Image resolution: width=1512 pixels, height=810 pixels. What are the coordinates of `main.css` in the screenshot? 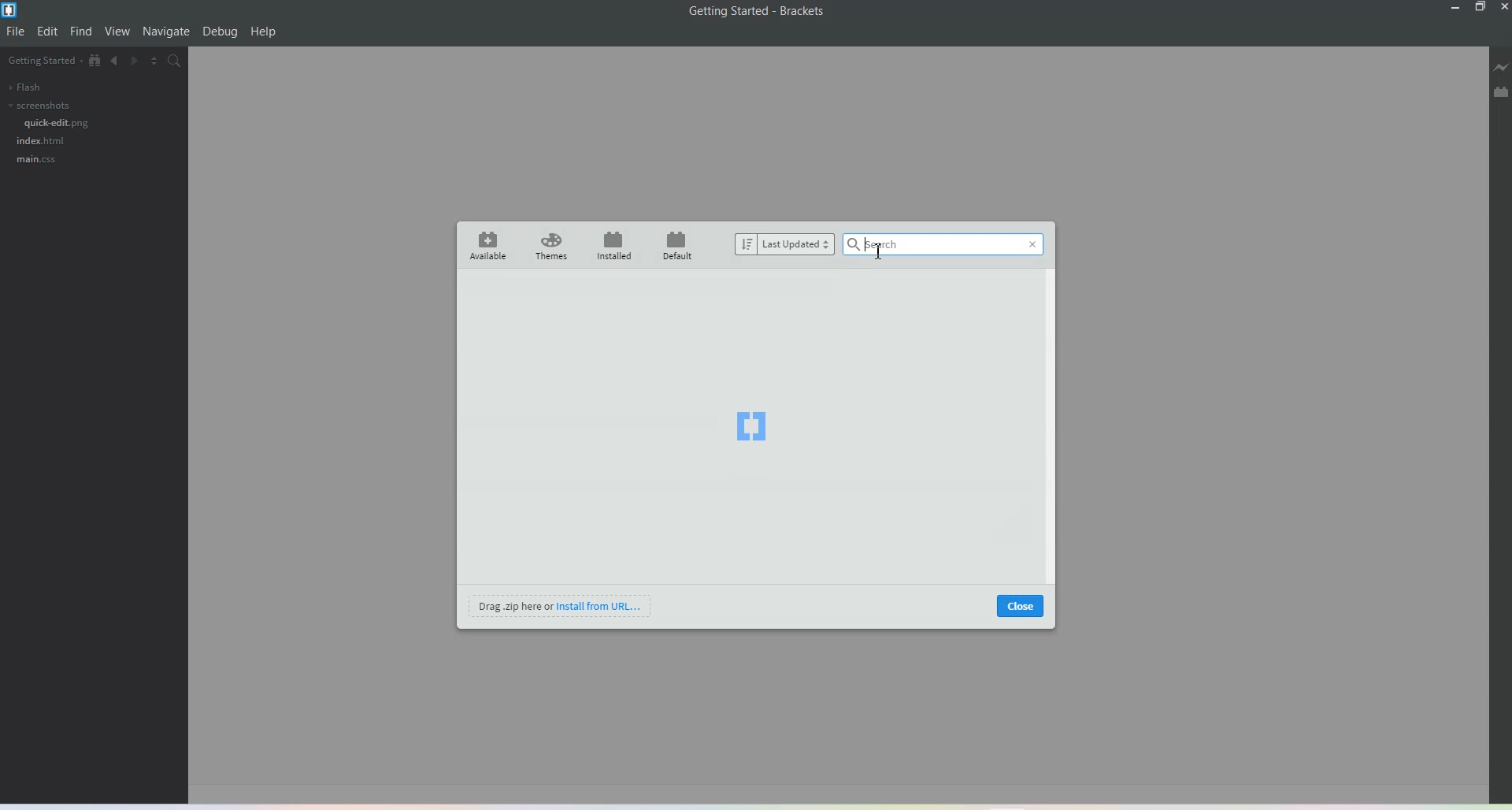 It's located at (35, 160).